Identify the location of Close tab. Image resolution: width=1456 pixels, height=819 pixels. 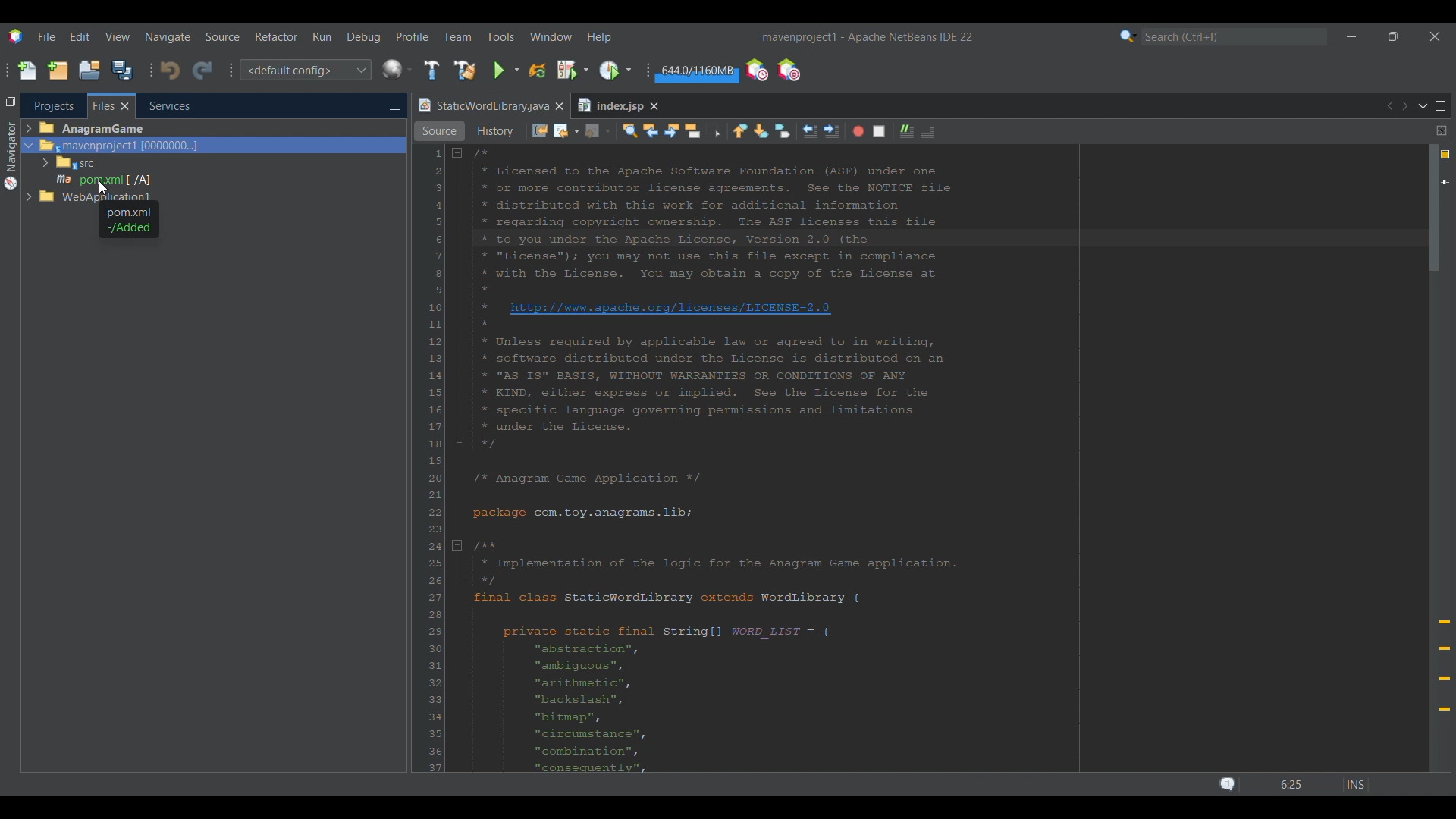
(559, 106).